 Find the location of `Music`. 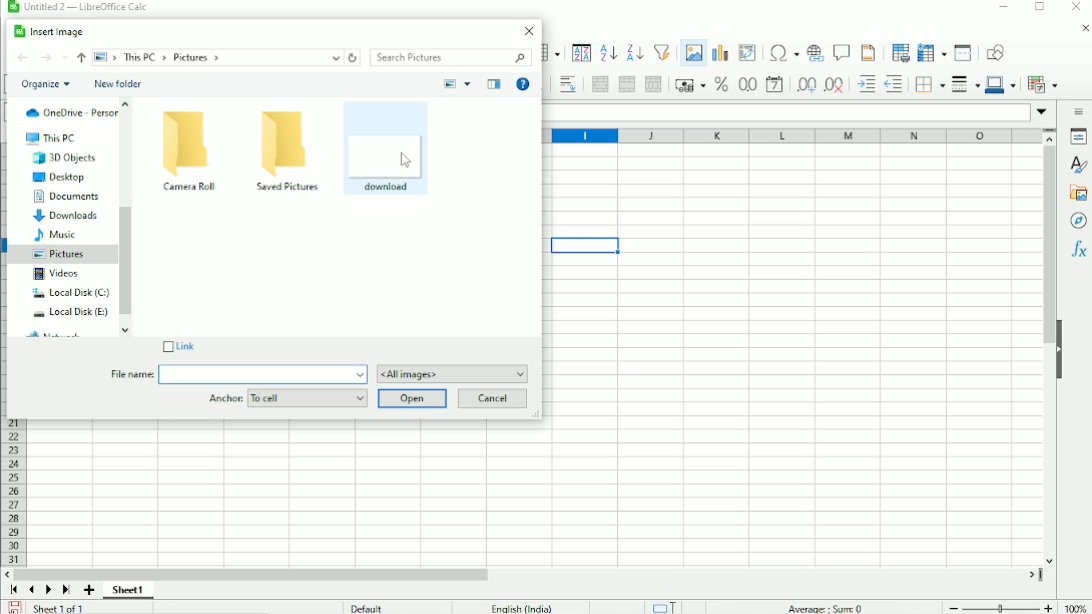

Music is located at coordinates (54, 234).